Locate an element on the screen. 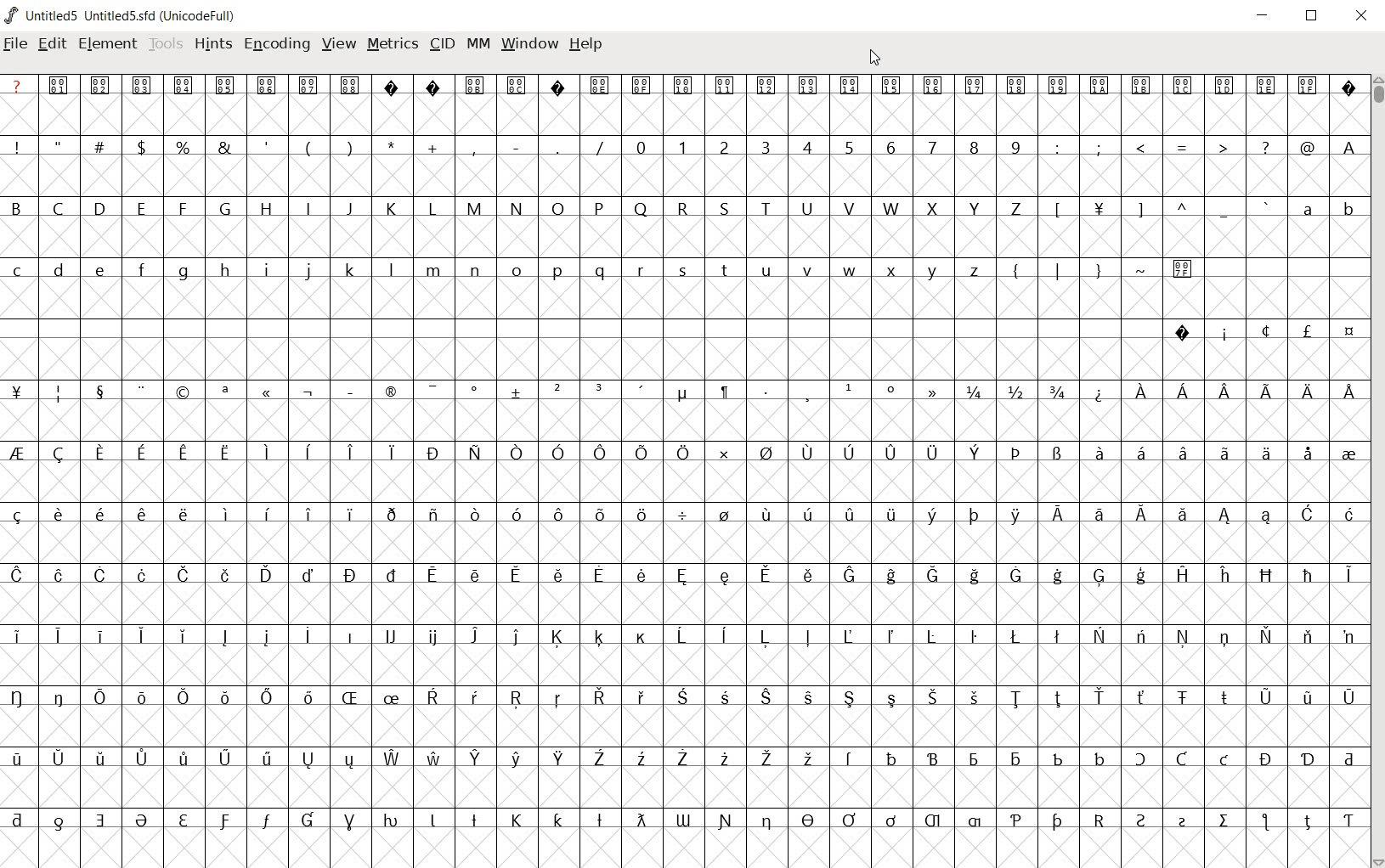 The height and width of the screenshot is (868, 1385). Symbol is located at coordinates (432, 390).